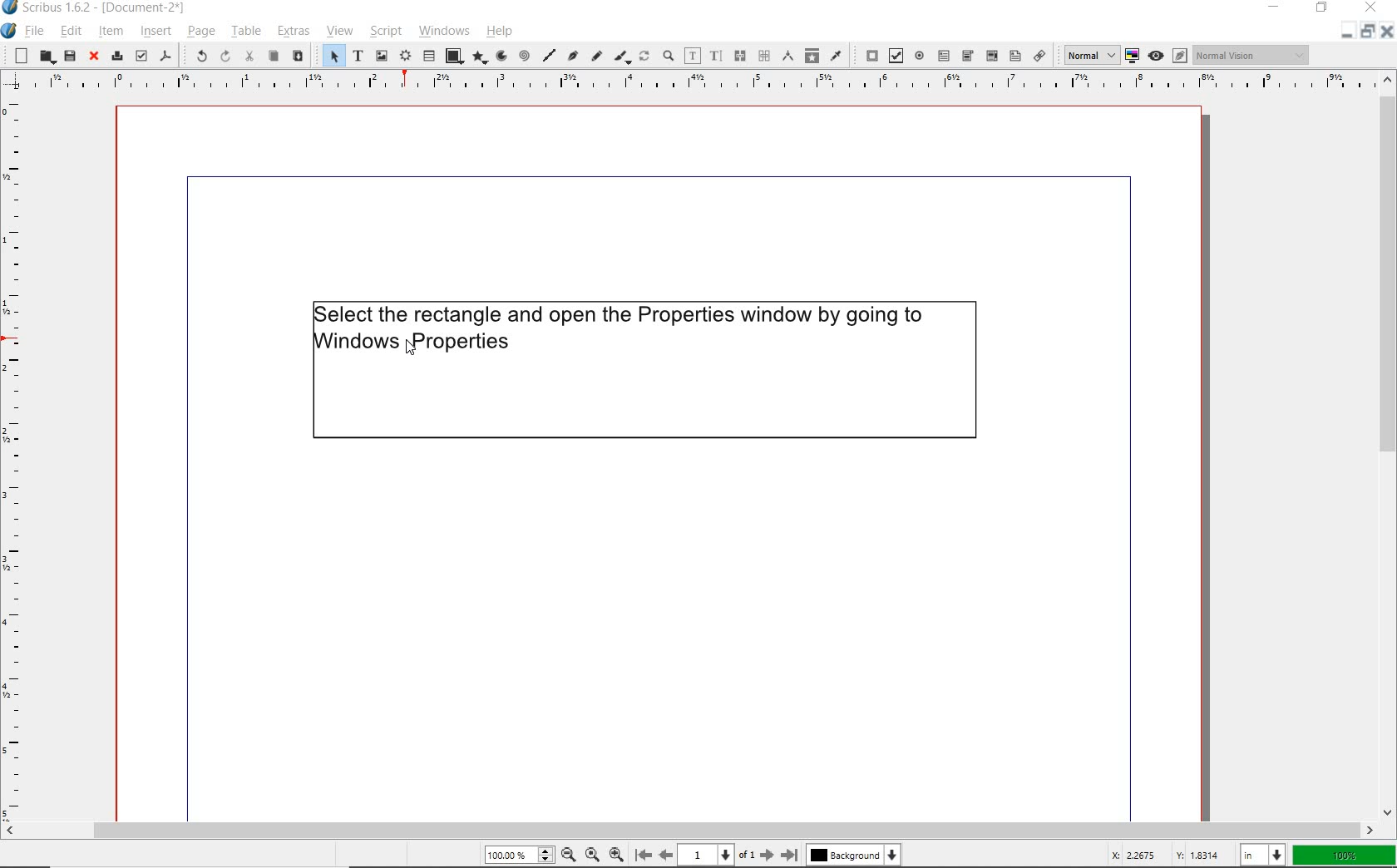  What do you see at coordinates (591, 852) in the screenshot?
I see `default zoom` at bounding box center [591, 852].